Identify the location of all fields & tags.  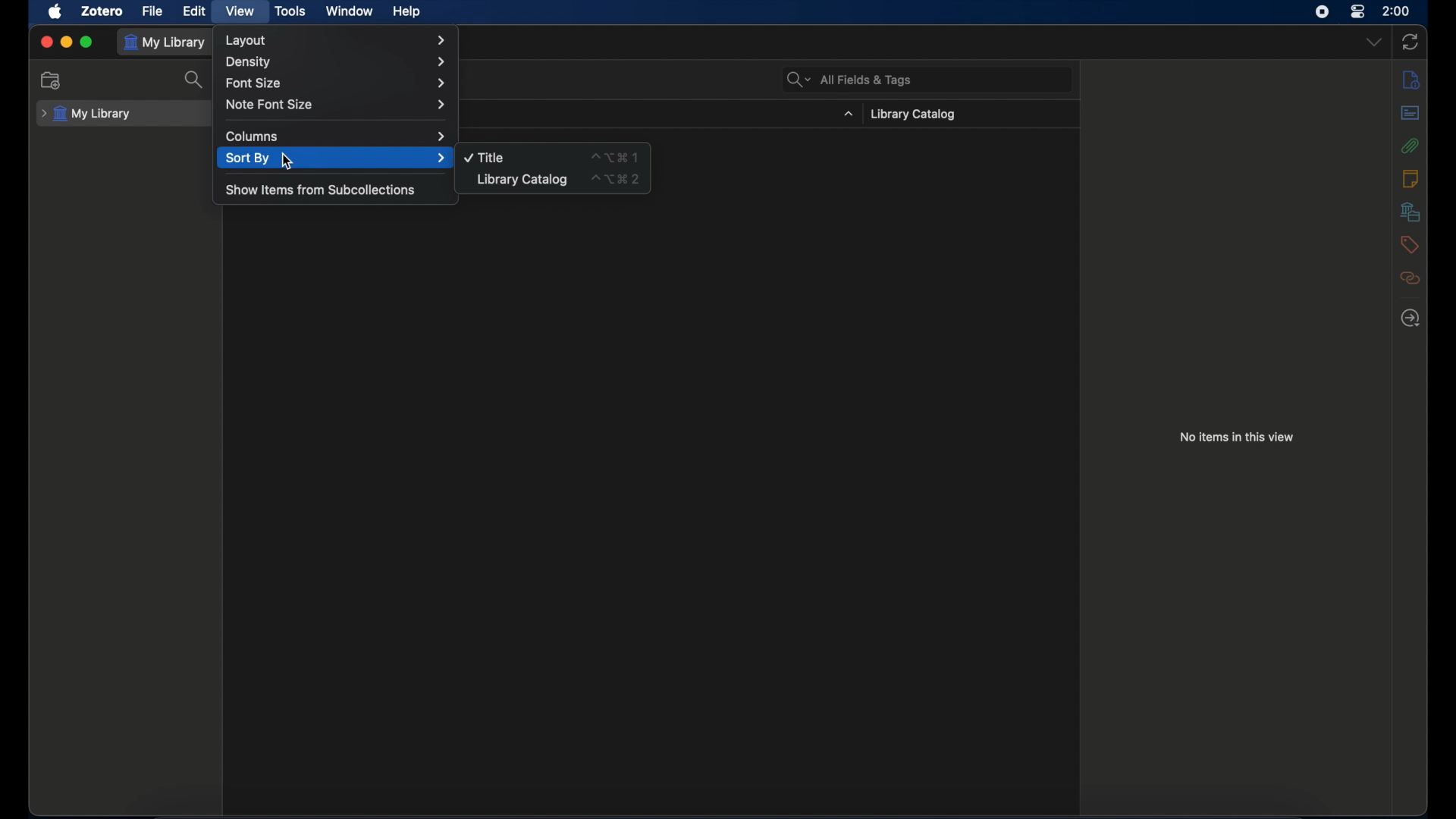
(848, 80).